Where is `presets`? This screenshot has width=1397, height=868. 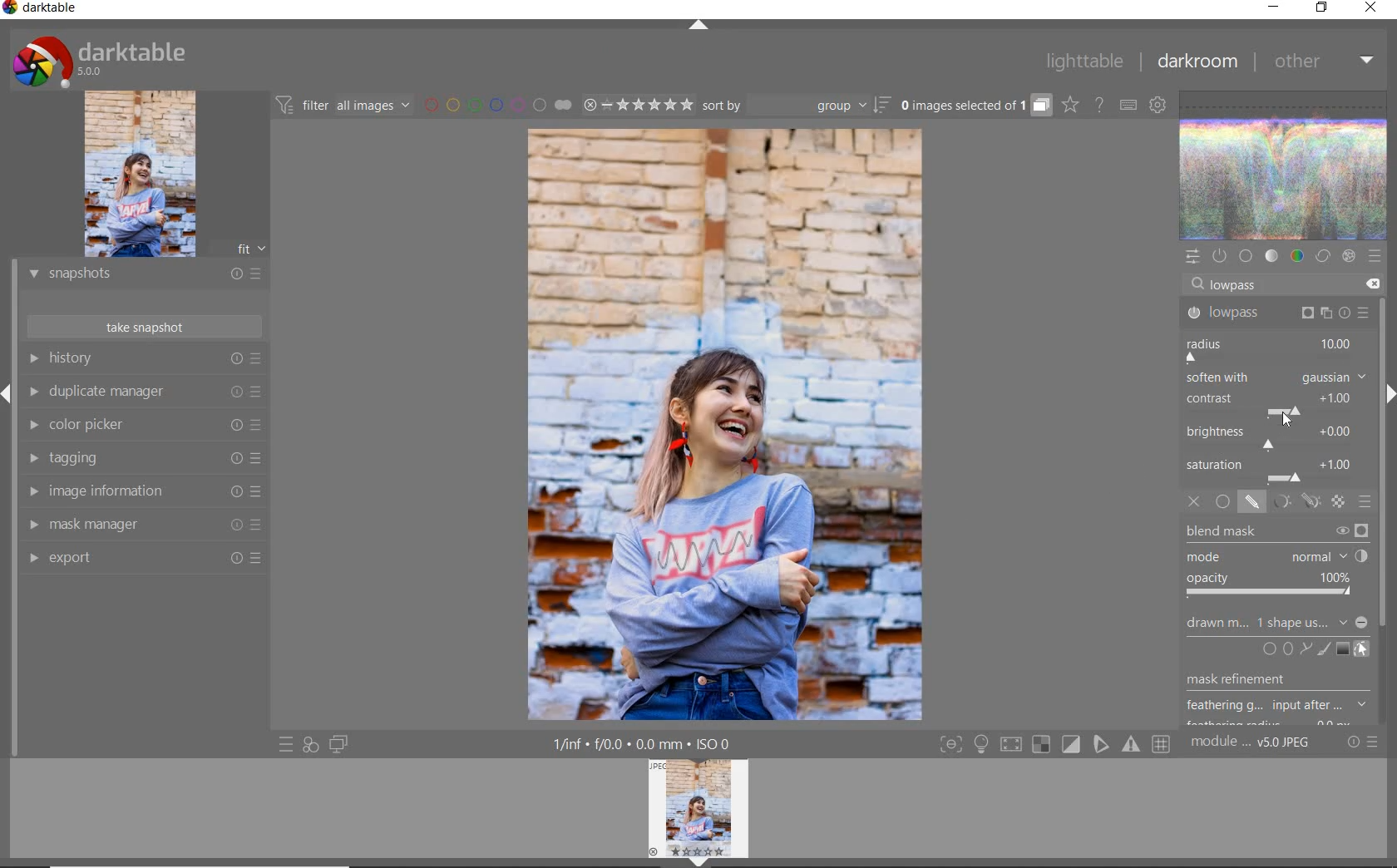 presets is located at coordinates (1375, 256).